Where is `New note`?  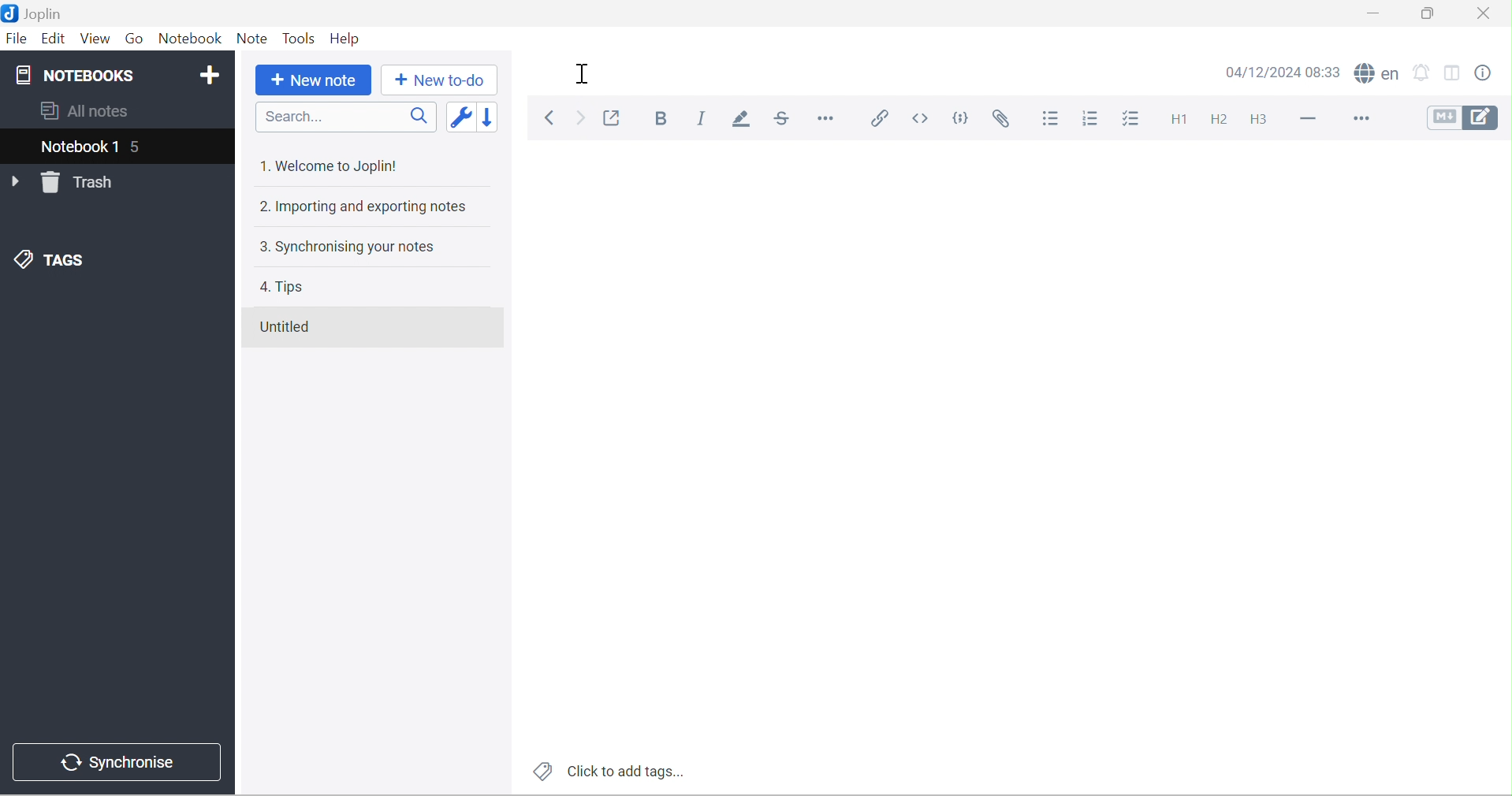
New note is located at coordinates (316, 80).